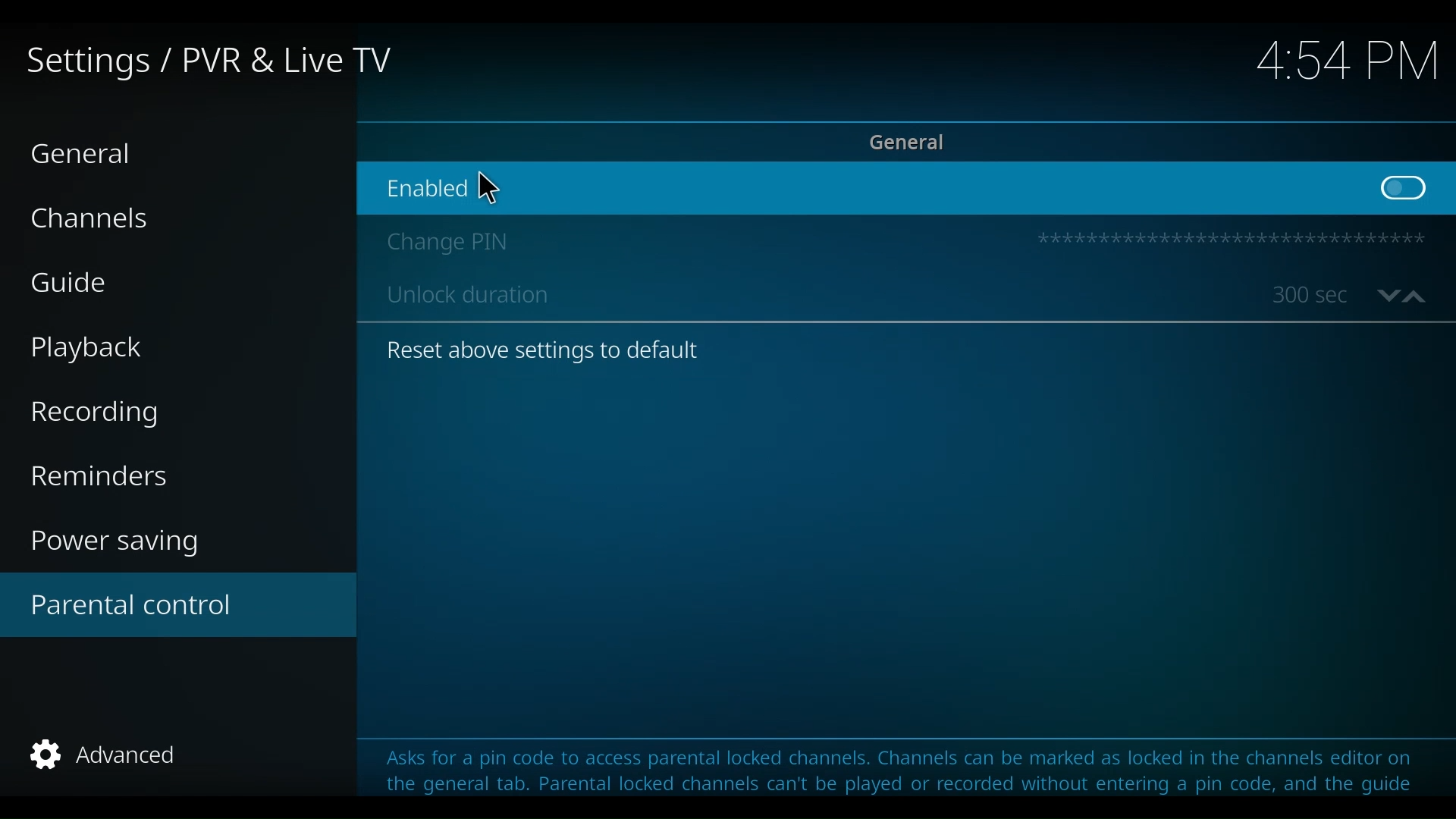 This screenshot has width=1456, height=819. What do you see at coordinates (491, 186) in the screenshot?
I see `Cursor` at bounding box center [491, 186].